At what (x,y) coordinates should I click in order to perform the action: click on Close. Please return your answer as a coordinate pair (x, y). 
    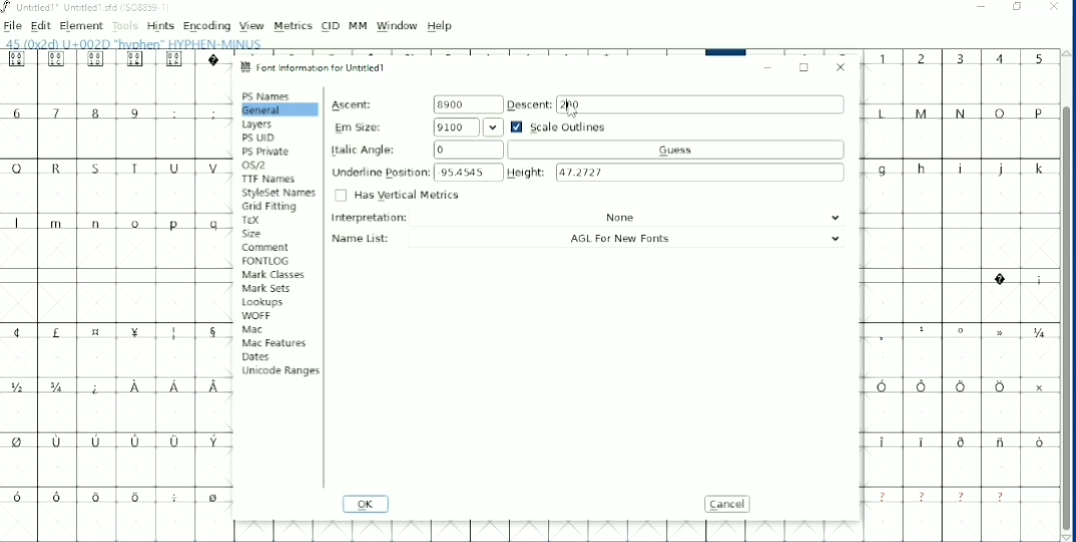
    Looking at the image, I should click on (841, 65).